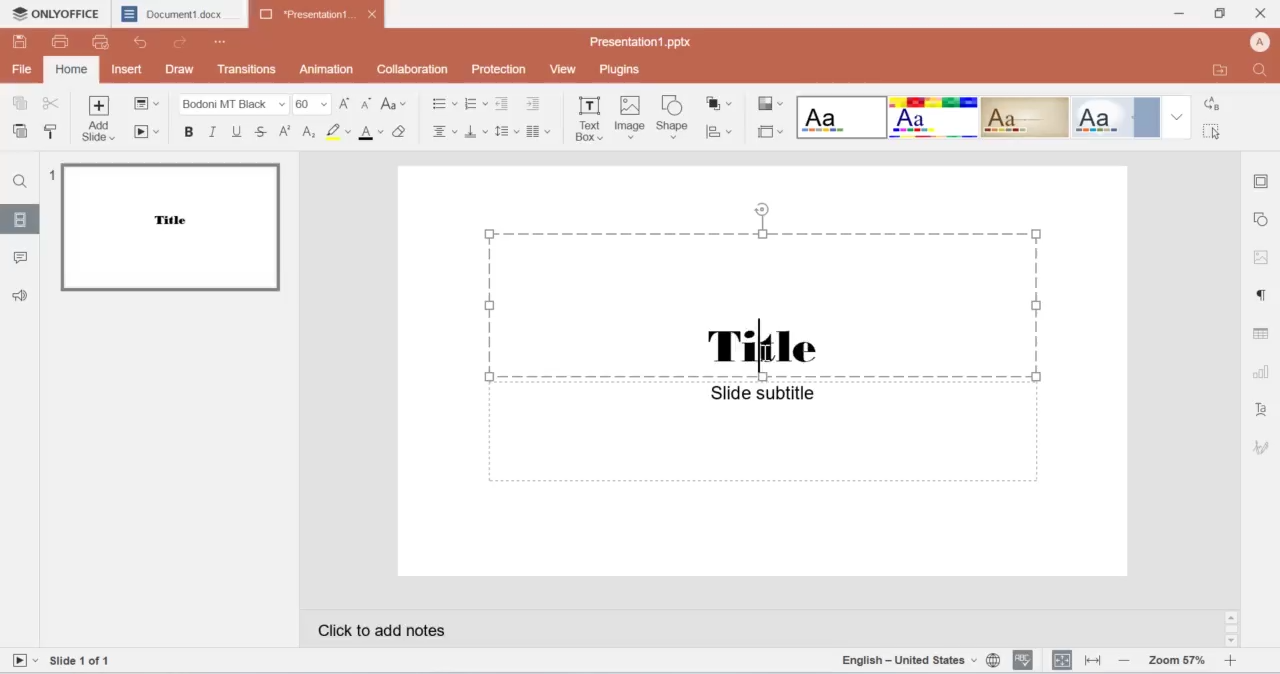  What do you see at coordinates (1232, 617) in the screenshot?
I see `scroll up` at bounding box center [1232, 617].